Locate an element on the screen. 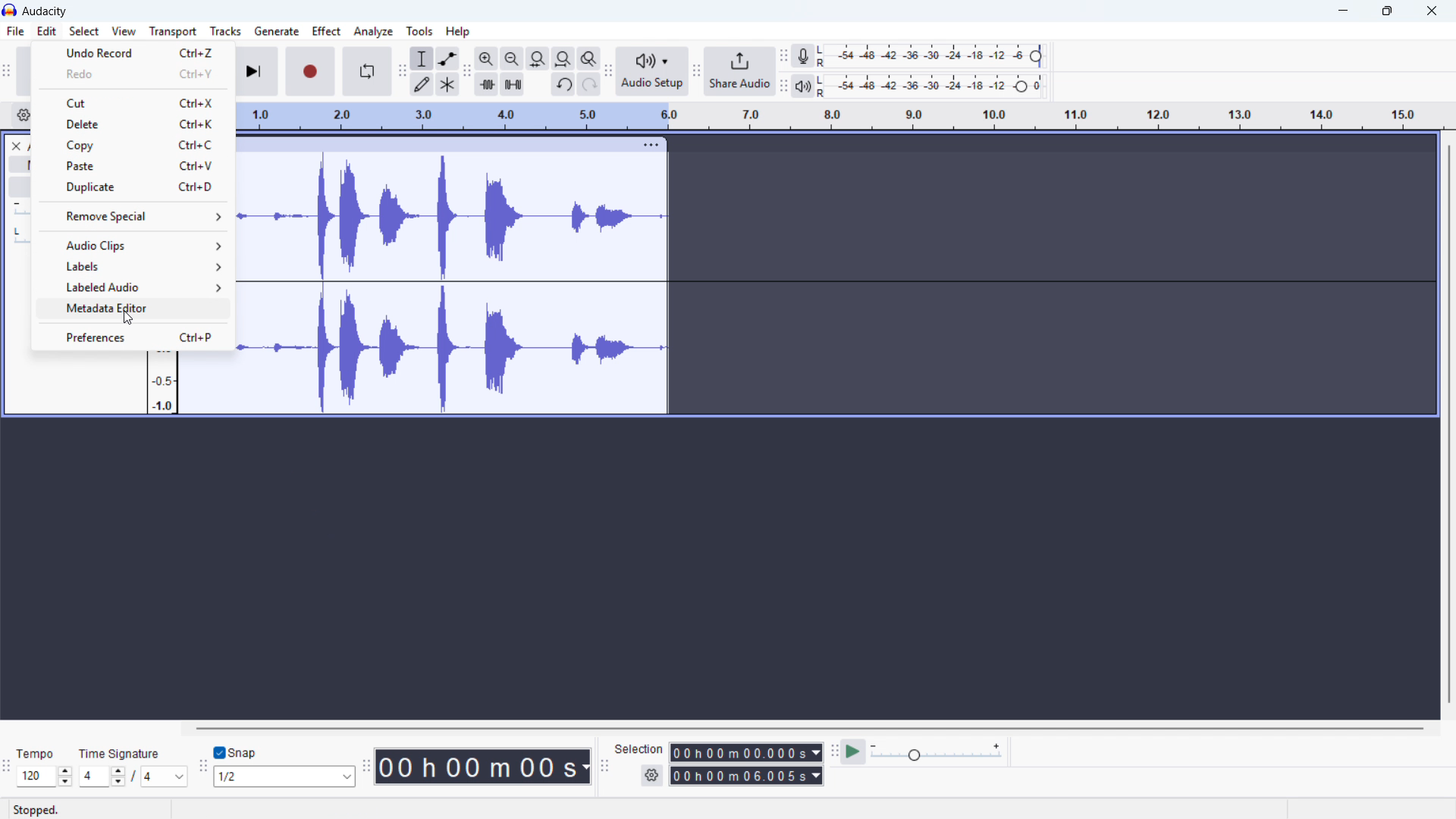 Image resolution: width=1456 pixels, height=819 pixels. tools toolbar is located at coordinates (401, 72).